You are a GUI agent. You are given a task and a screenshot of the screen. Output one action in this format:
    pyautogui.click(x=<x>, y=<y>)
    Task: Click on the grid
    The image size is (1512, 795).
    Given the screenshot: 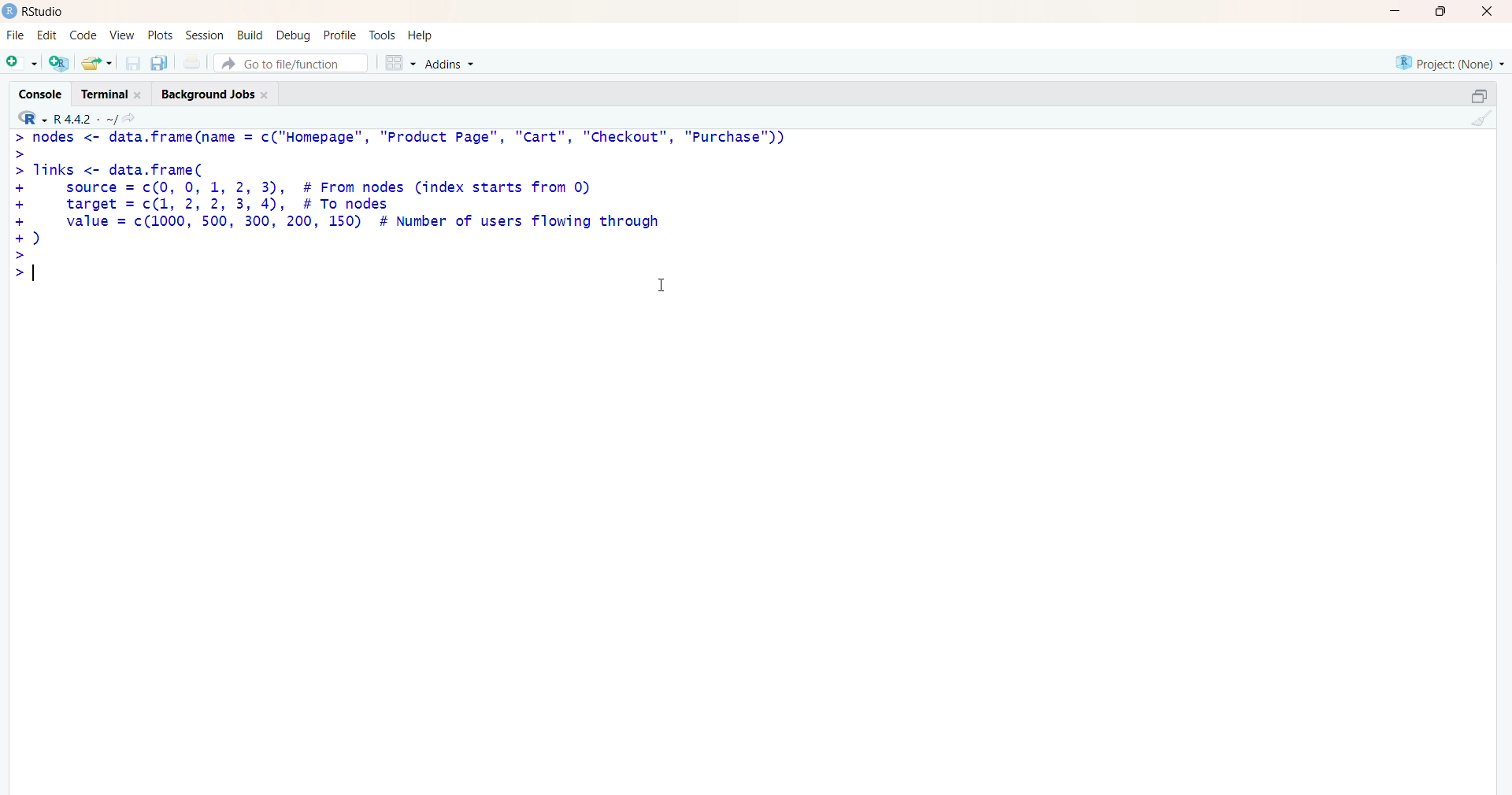 What is the action you would take?
    pyautogui.click(x=396, y=64)
    